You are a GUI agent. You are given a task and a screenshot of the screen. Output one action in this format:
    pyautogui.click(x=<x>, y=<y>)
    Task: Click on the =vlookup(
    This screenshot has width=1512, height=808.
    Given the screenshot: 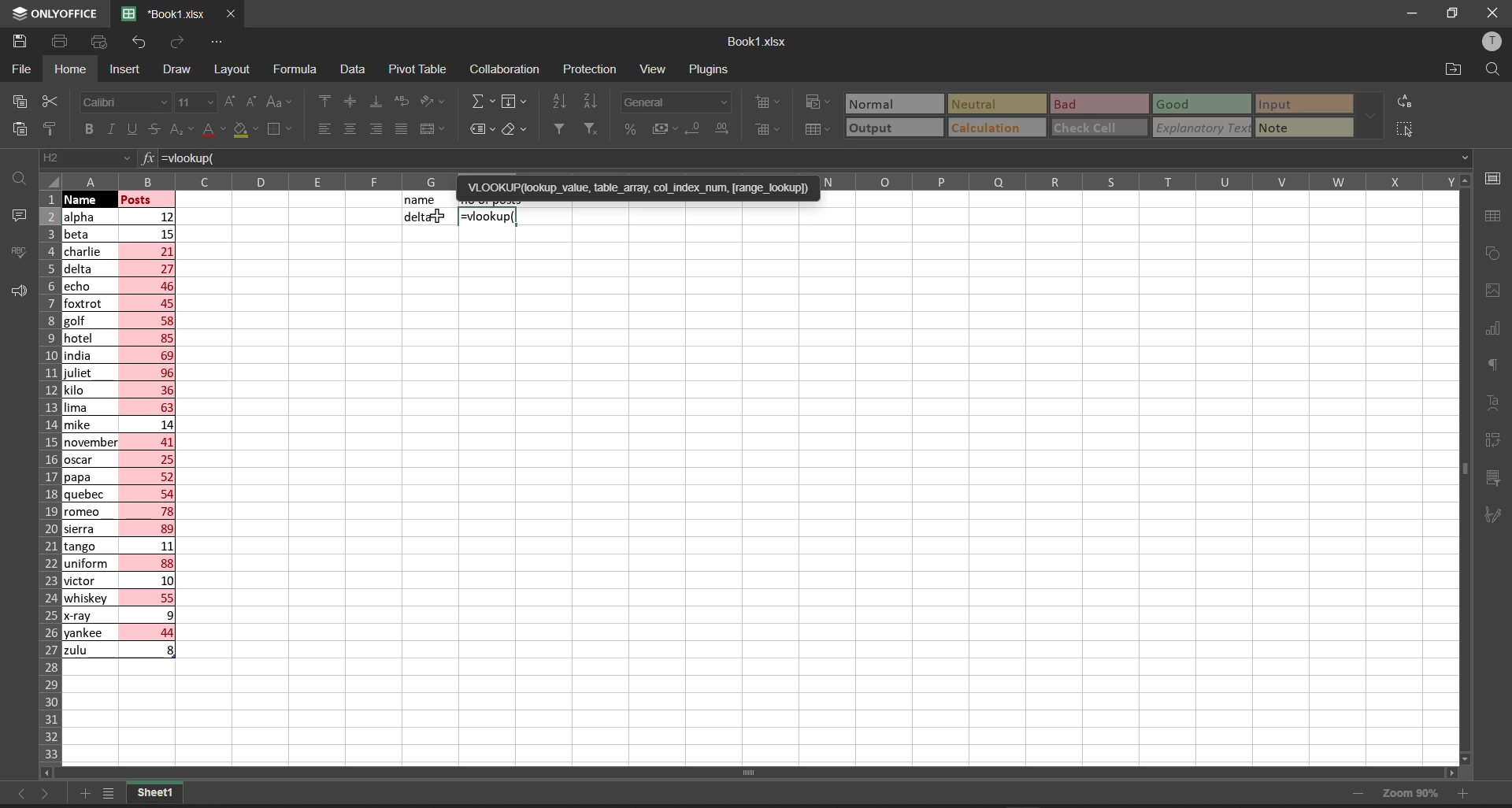 What is the action you would take?
    pyautogui.click(x=489, y=221)
    